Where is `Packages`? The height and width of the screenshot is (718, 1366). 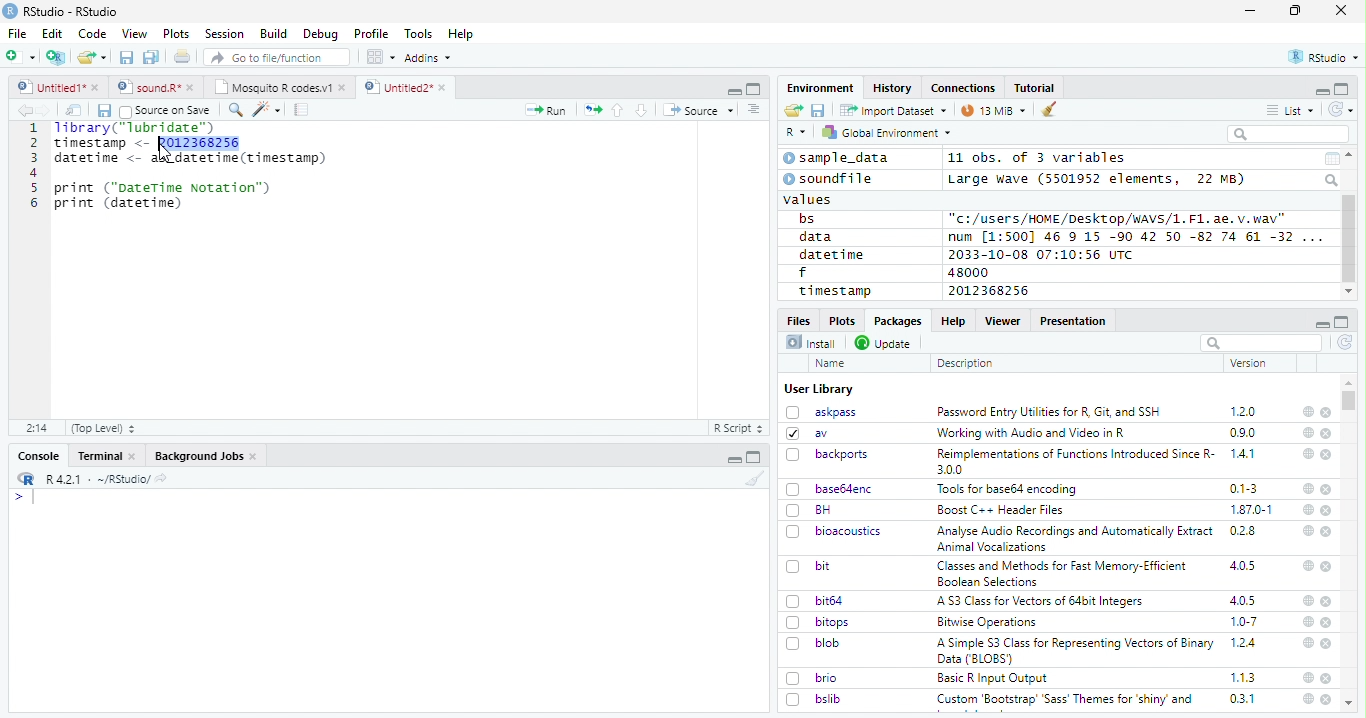 Packages is located at coordinates (896, 321).